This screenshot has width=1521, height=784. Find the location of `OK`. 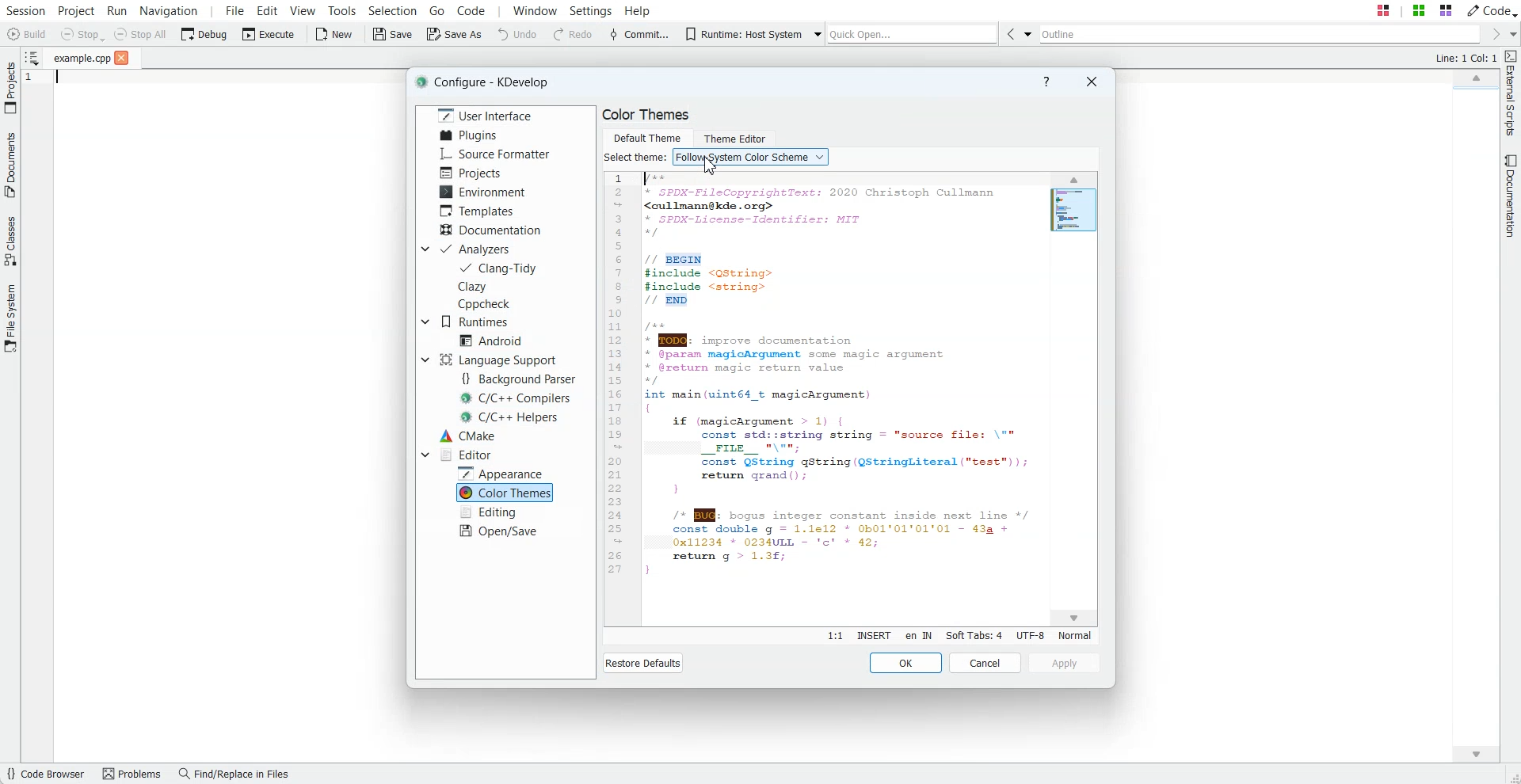

OK is located at coordinates (906, 663).